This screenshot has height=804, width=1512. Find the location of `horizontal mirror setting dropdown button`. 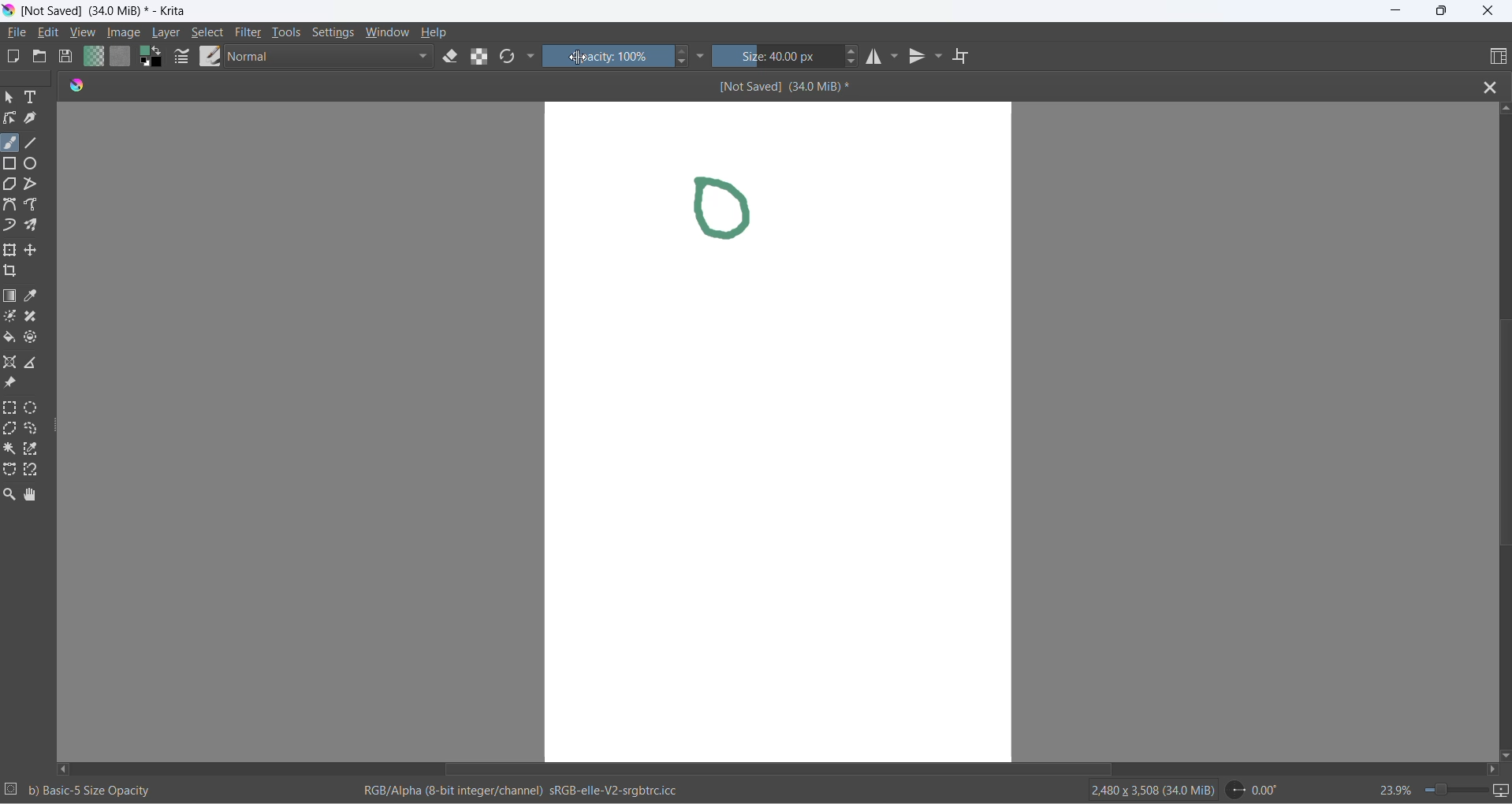

horizontal mirror setting dropdown button is located at coordinates (896, 54).